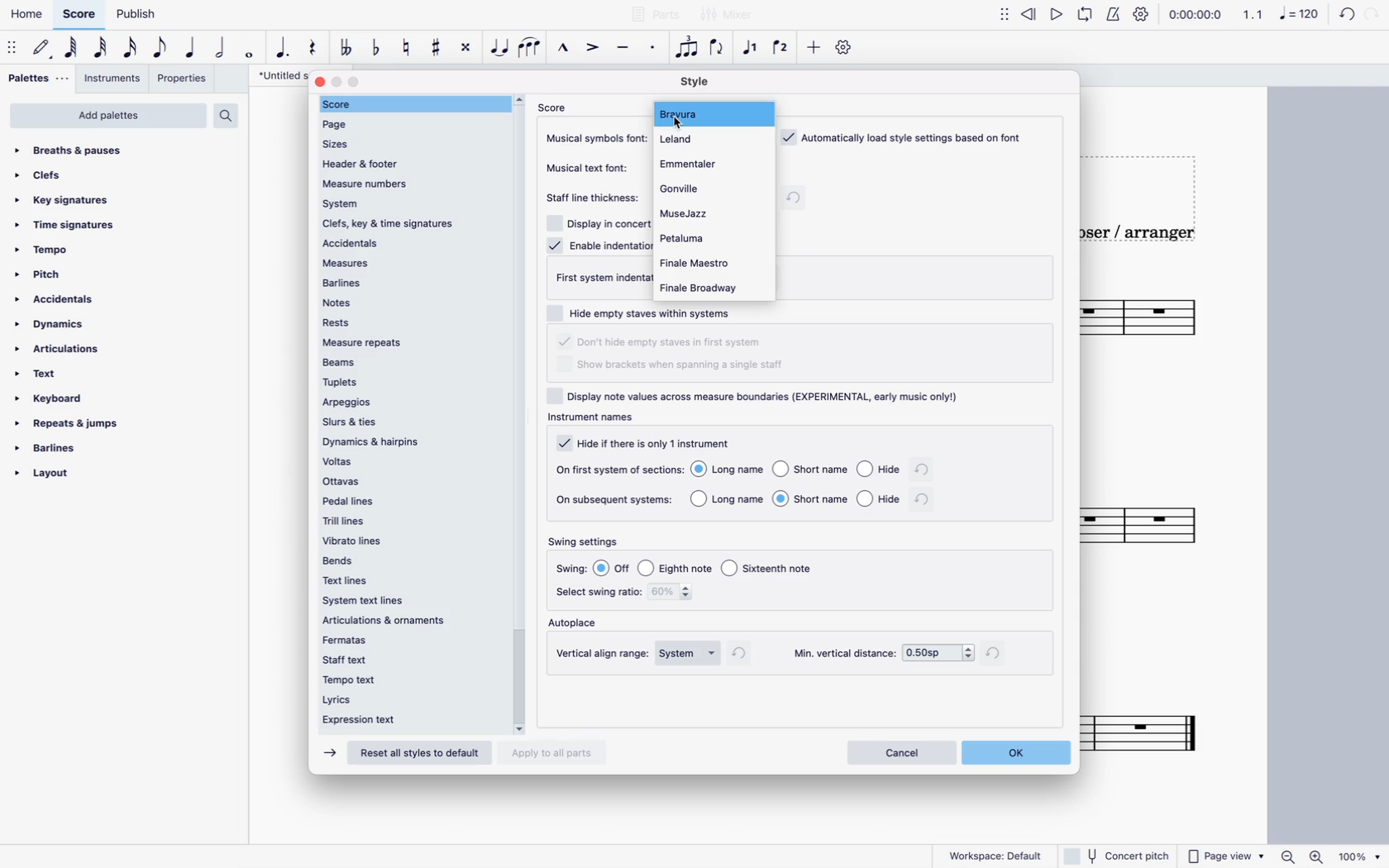  What do you see at coordinates (146, 14) in the screenshot?
I see `Publish` at bounding box center [146, 14].